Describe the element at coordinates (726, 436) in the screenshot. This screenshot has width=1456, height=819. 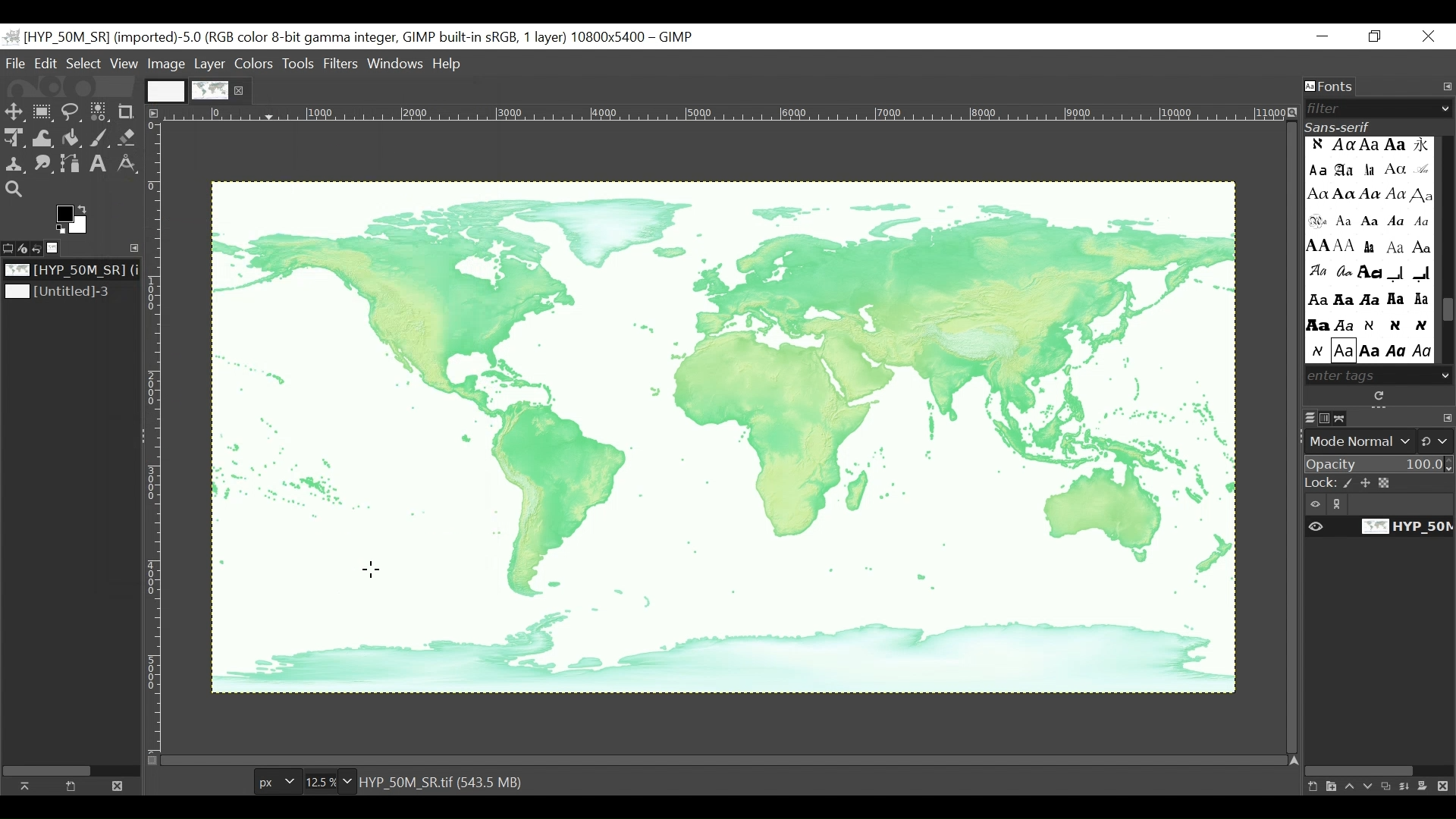
I see `Image` at that location.